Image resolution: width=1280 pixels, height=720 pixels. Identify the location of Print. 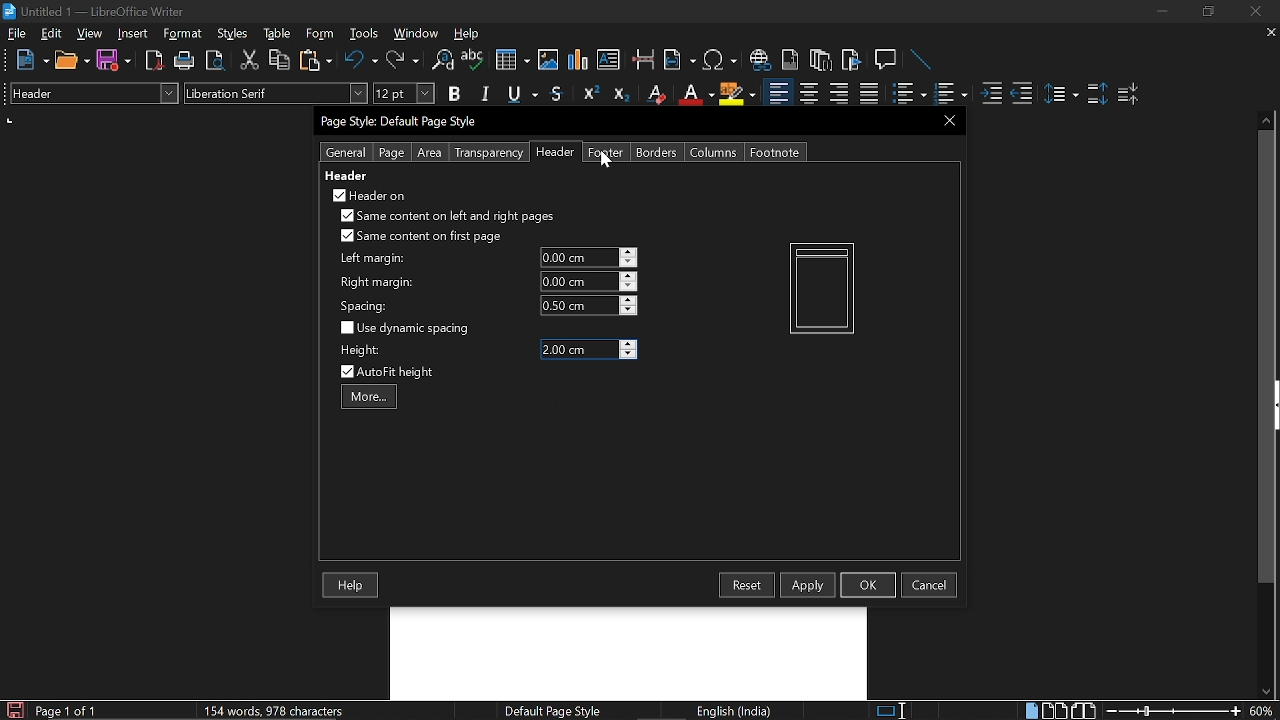
(185, 61).